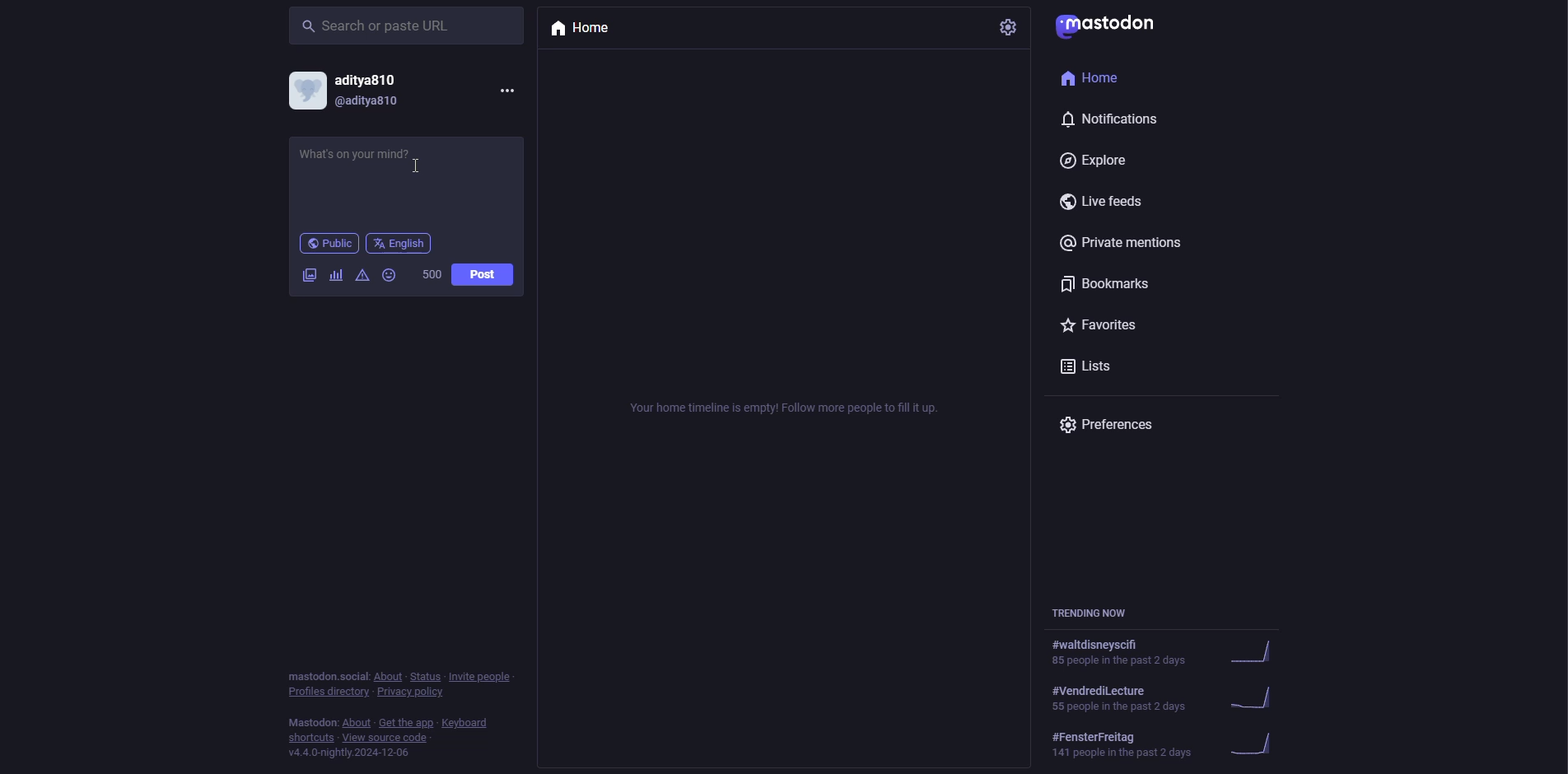  What do you see at coordinates (1102, 325) in the screenshot?
I see `favorites` at bounding box center [1102, 325].